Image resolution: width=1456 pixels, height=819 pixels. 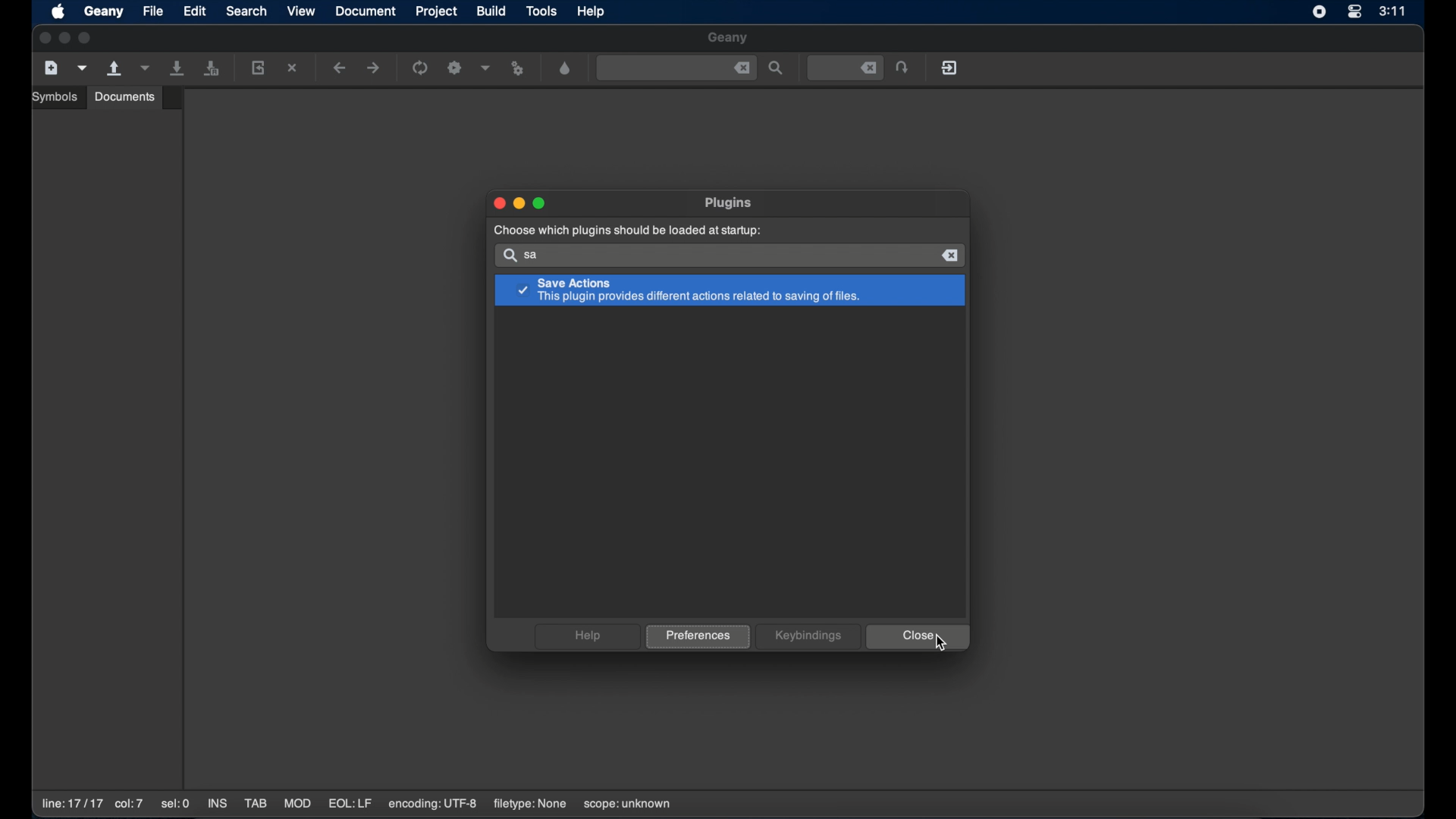 I want to click on close, so click(x=43, y=39).